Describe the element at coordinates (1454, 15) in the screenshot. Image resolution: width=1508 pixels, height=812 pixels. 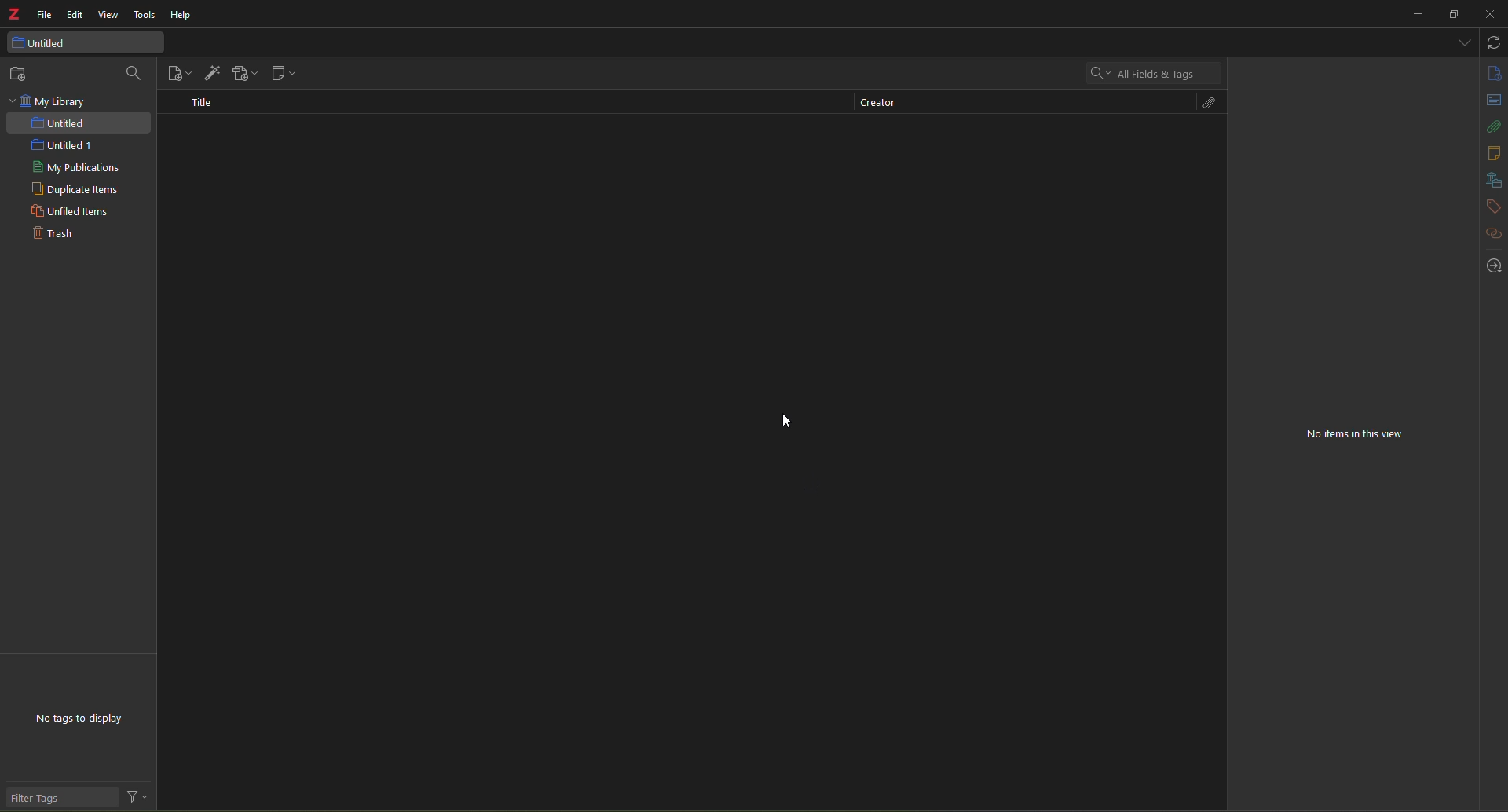
I see `maximize` at that location.